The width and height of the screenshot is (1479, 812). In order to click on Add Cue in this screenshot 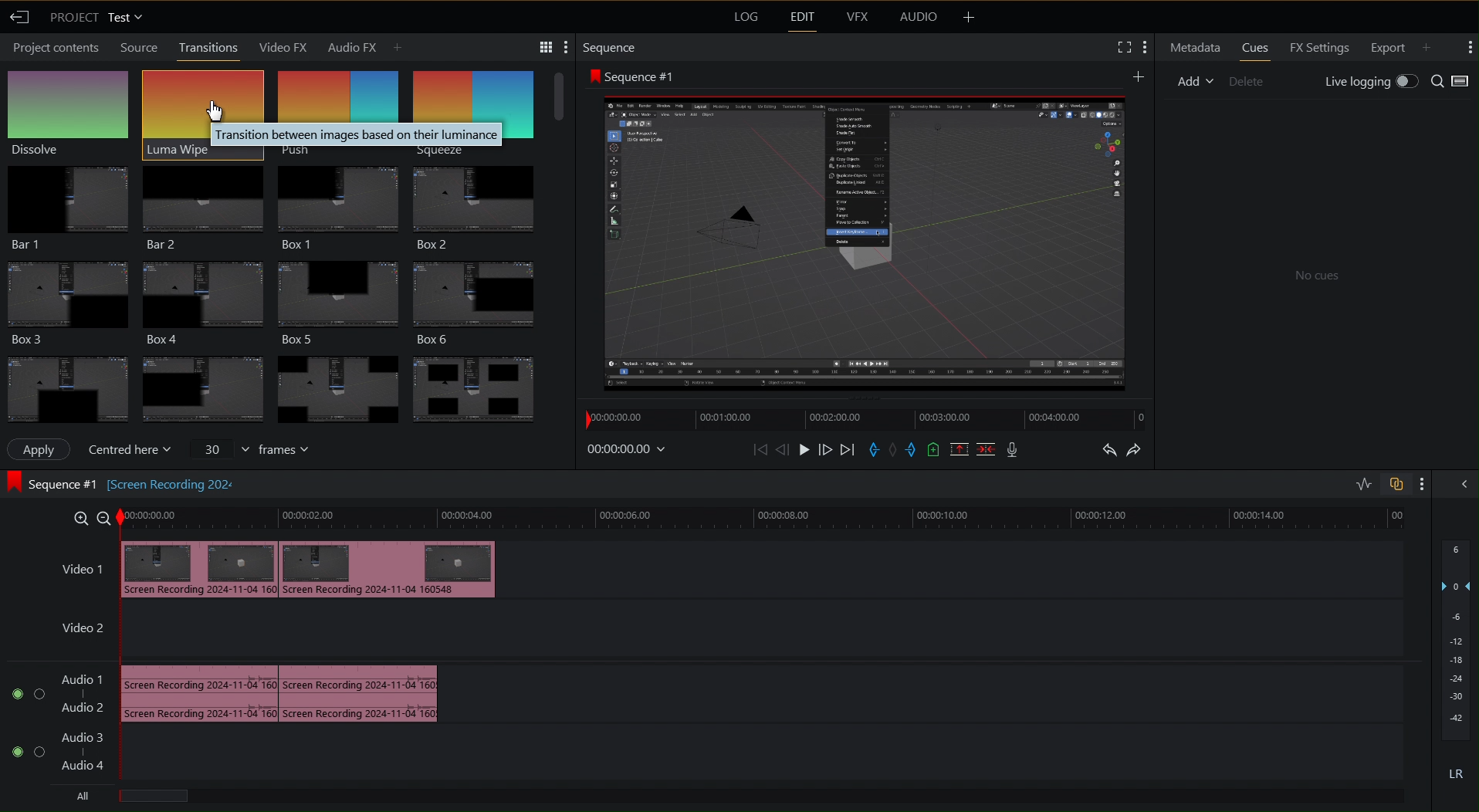, I will do `click(932, 451)`.